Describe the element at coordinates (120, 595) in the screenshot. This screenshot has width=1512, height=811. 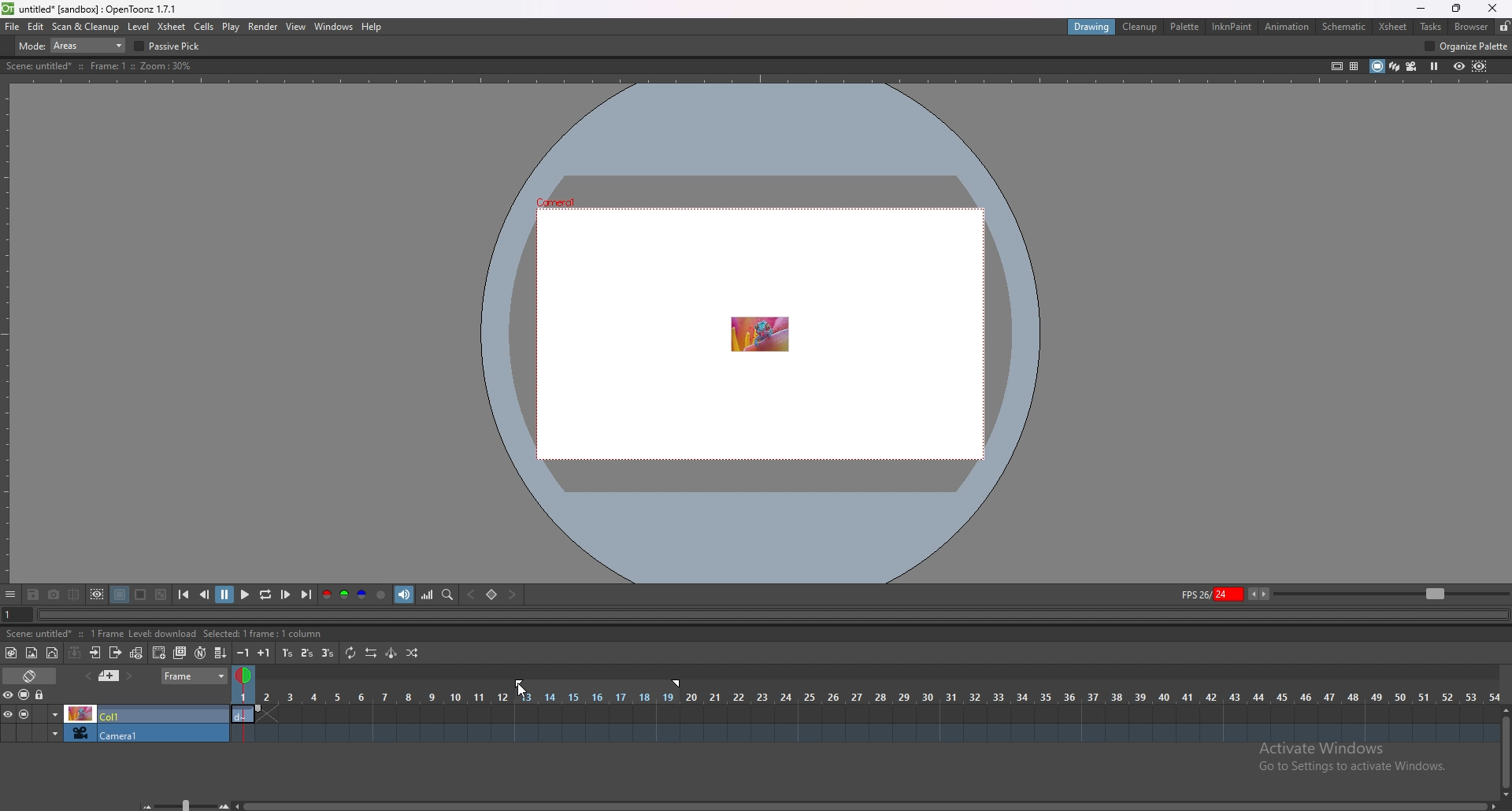
I see `black background` at that location.